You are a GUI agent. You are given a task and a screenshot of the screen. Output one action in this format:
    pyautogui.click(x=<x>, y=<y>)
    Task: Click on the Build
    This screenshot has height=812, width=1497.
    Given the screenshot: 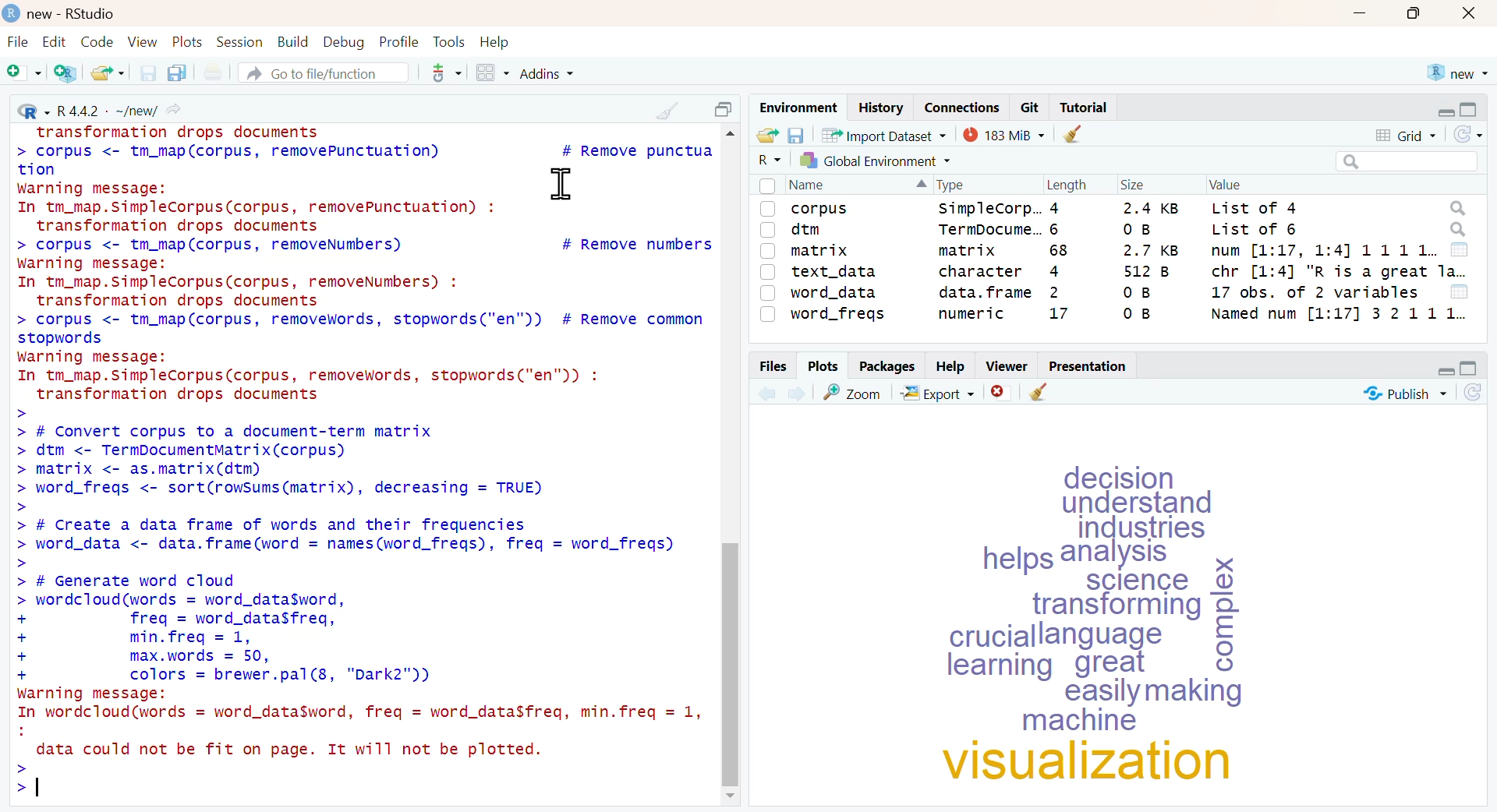 What is the action you would take?
    pyautogui.click(x=294, y=42)
    